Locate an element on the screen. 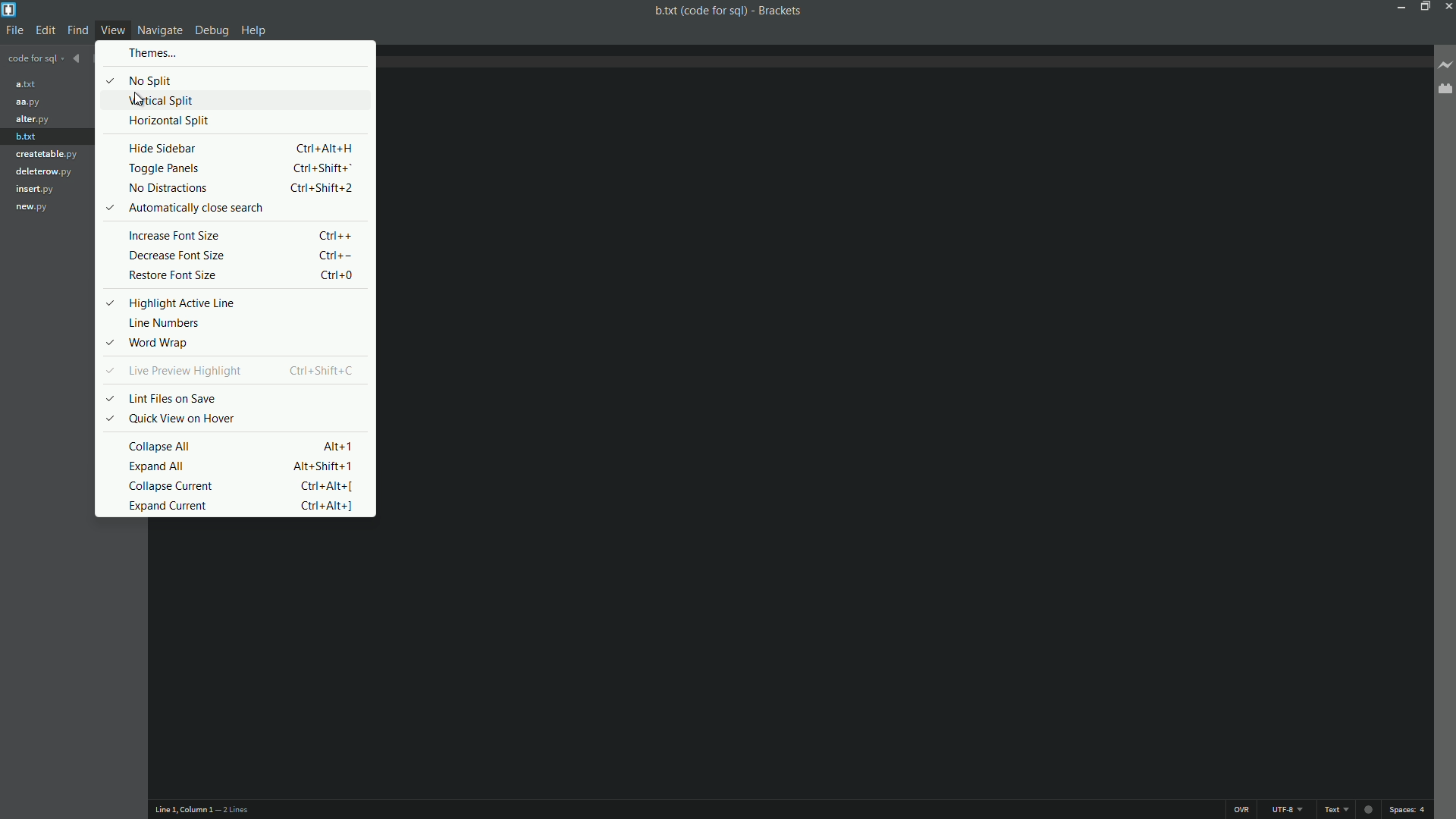 The height and width of the screenshot is (819, 1456). find menu is located at coordinates (79, 30).